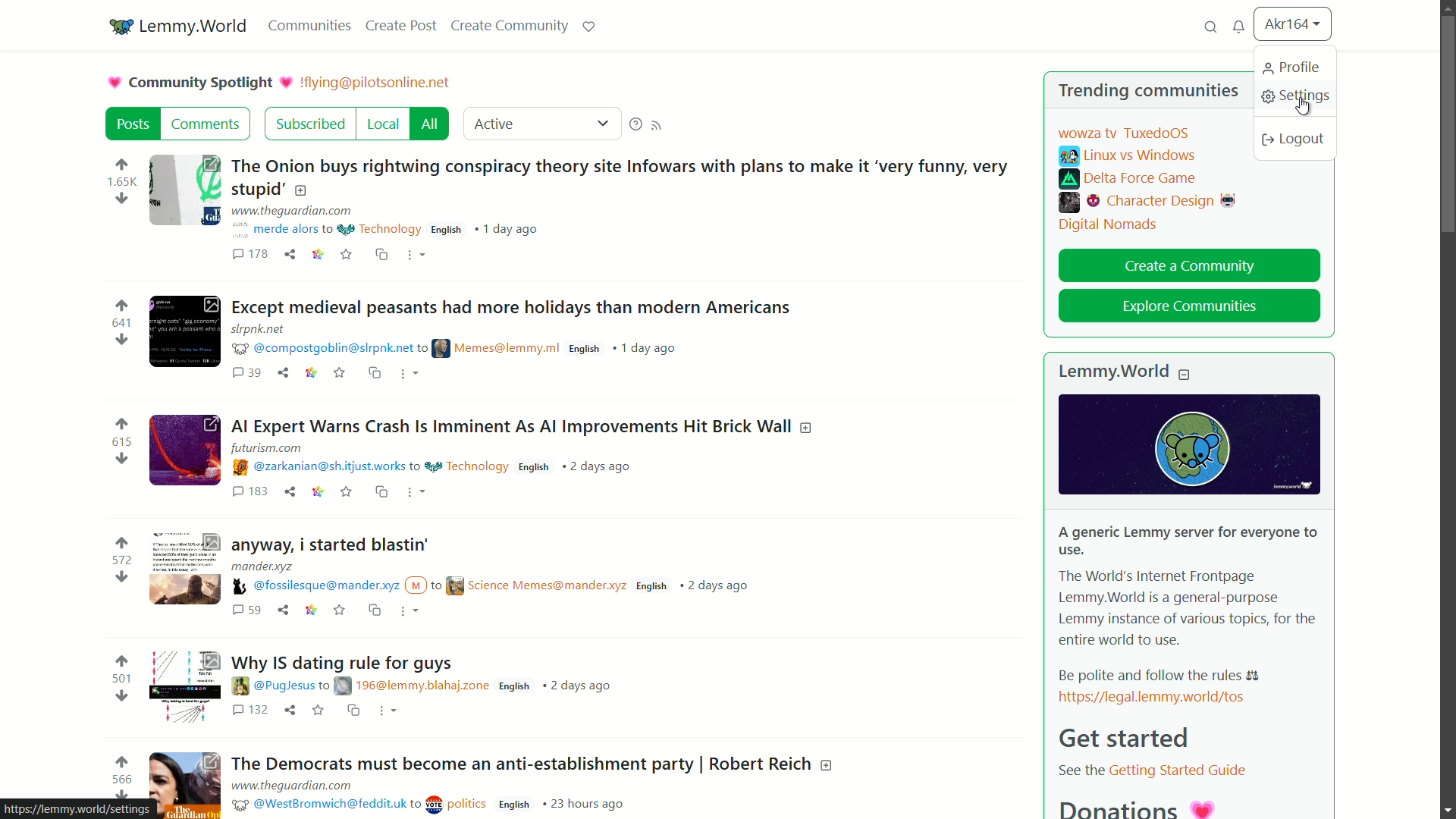  Describe the element at coordinates (124, 544) in the screenshot. I see `upvote` at that location.